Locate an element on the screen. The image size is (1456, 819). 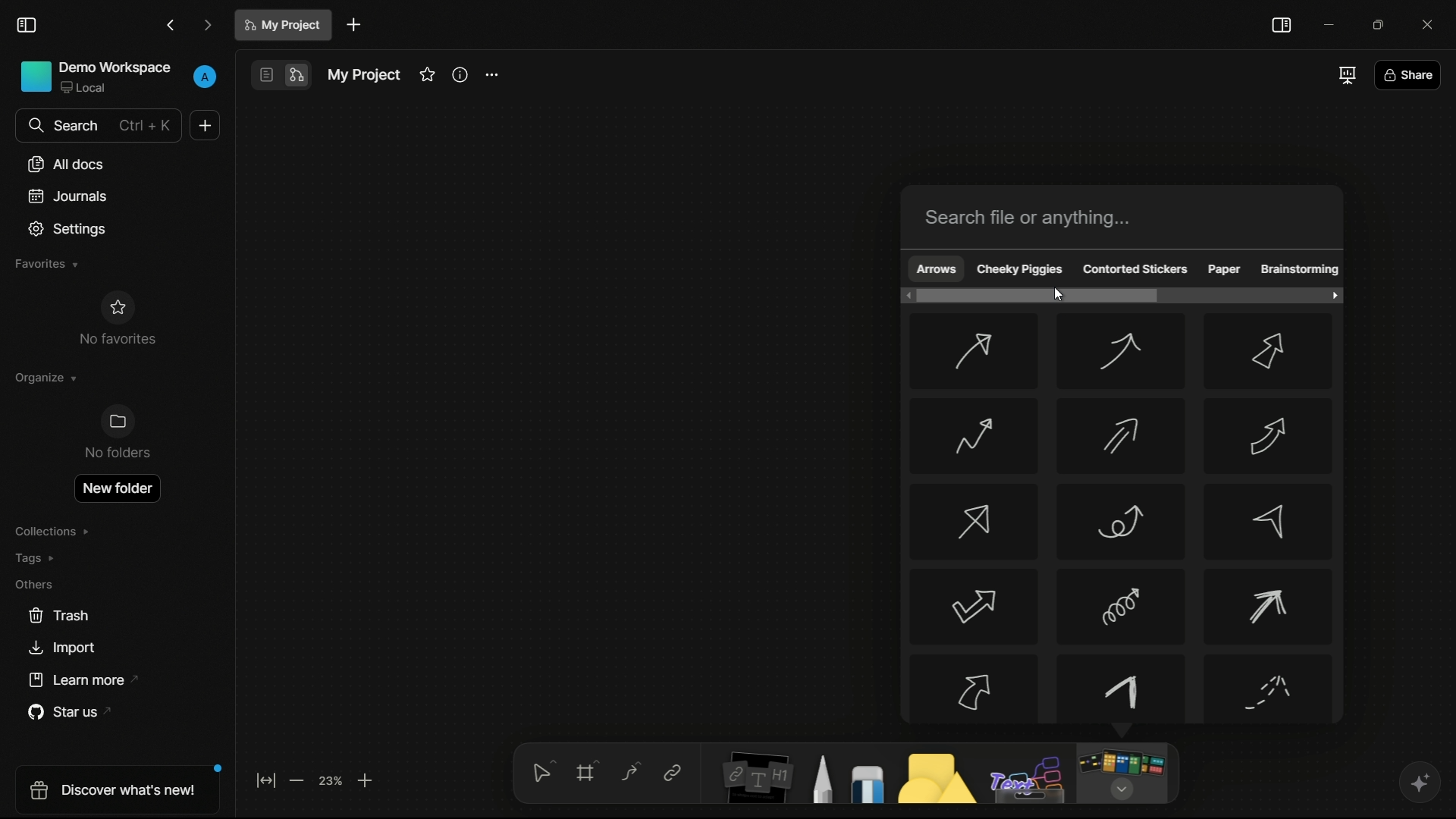
favorites is located at coordinates (45, 264).